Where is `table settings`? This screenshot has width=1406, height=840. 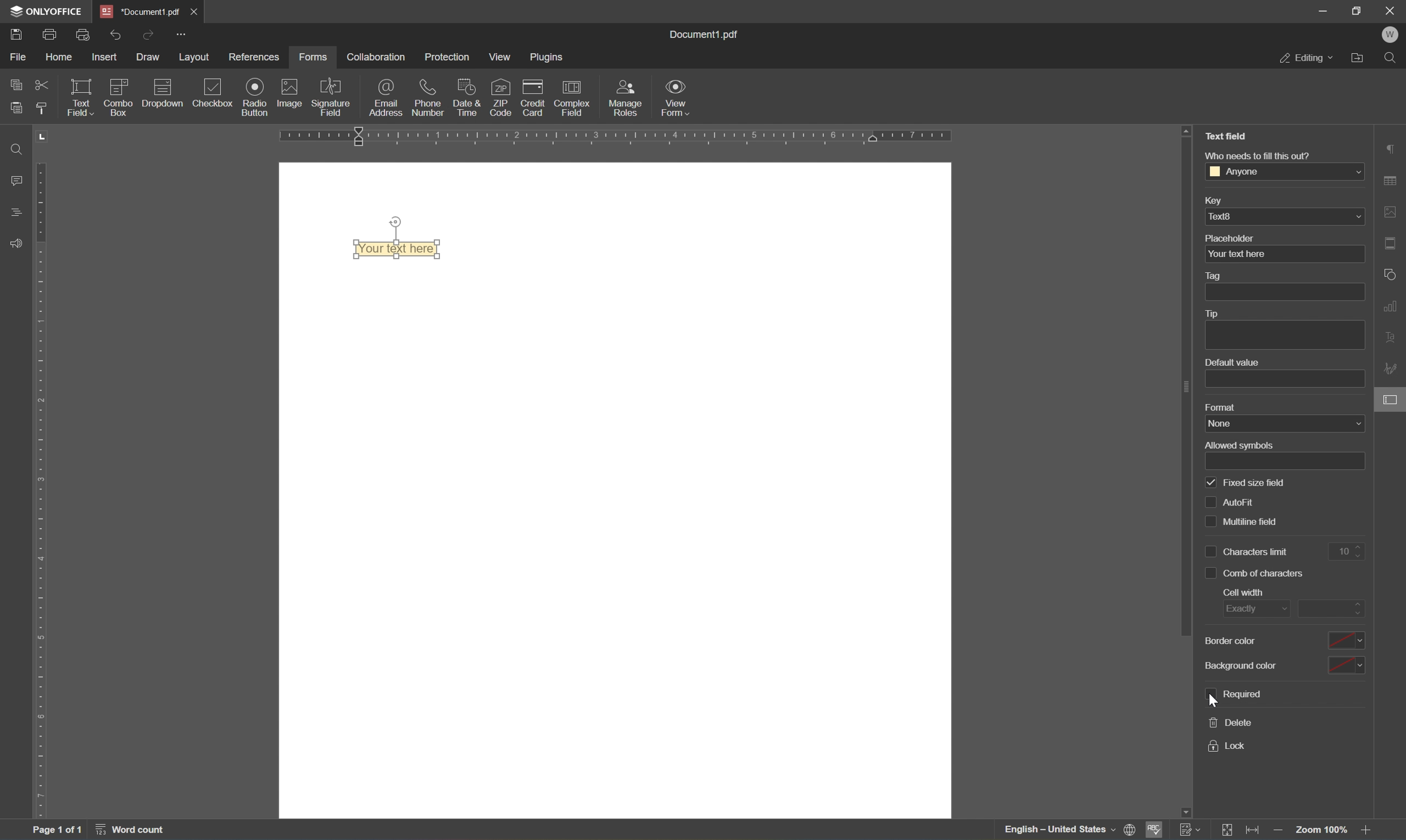 table settings is located at coordinates (1392, 179).